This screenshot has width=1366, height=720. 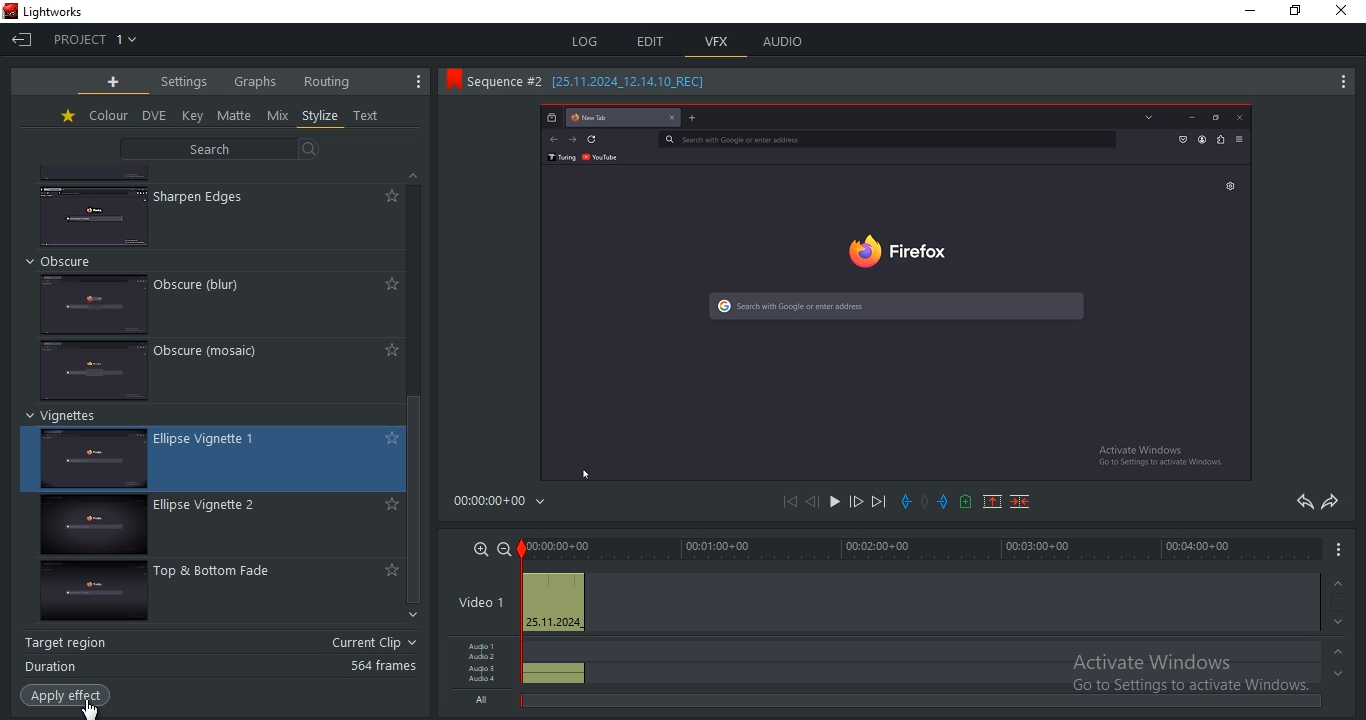 What do you see at coordinates (108, 115) in the screenshot?
I see `colour` at bounding box center [108, 115].